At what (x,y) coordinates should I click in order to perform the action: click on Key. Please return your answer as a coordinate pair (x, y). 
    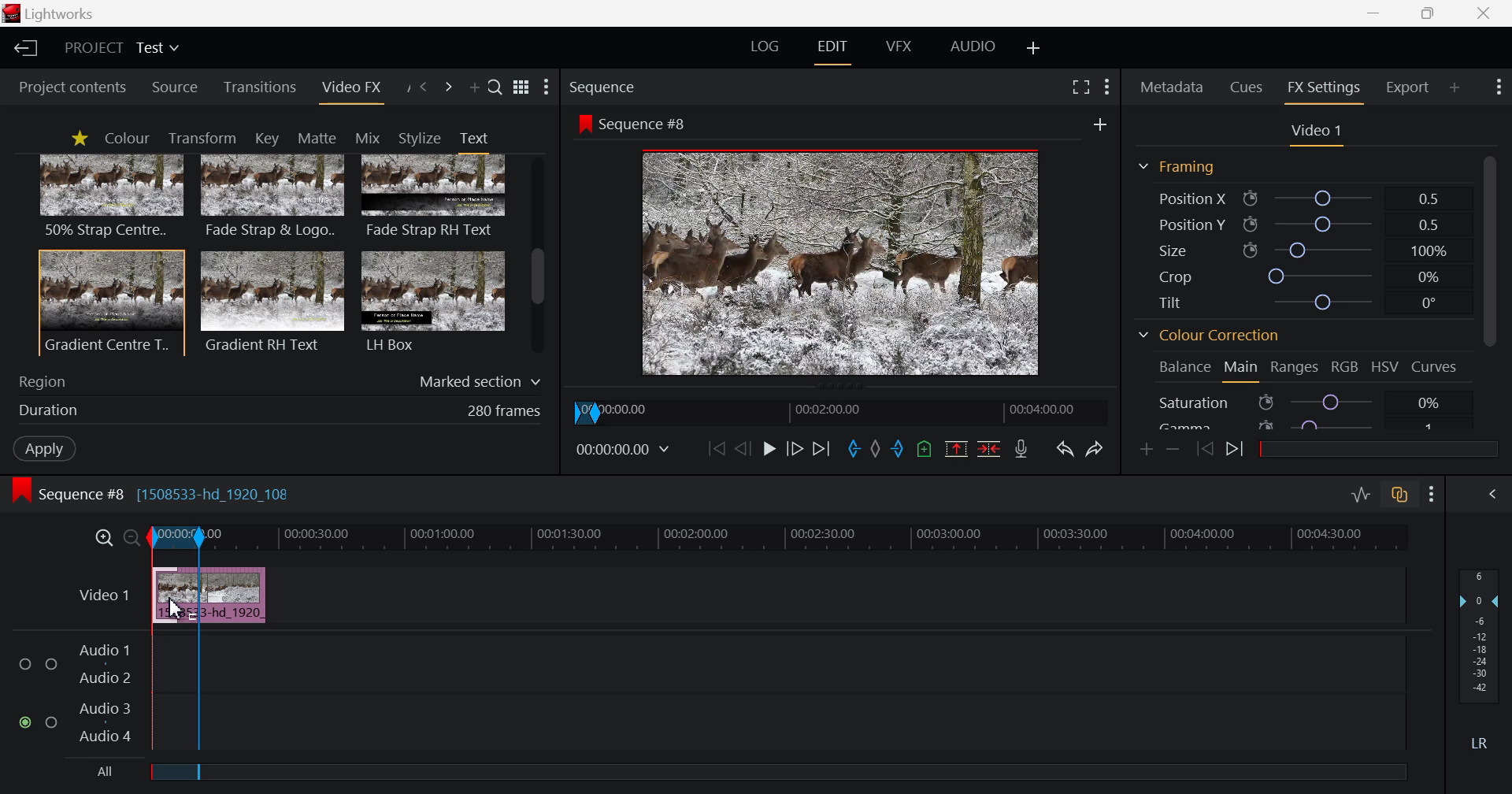
    Looking at the image, I should click on (265, 139).